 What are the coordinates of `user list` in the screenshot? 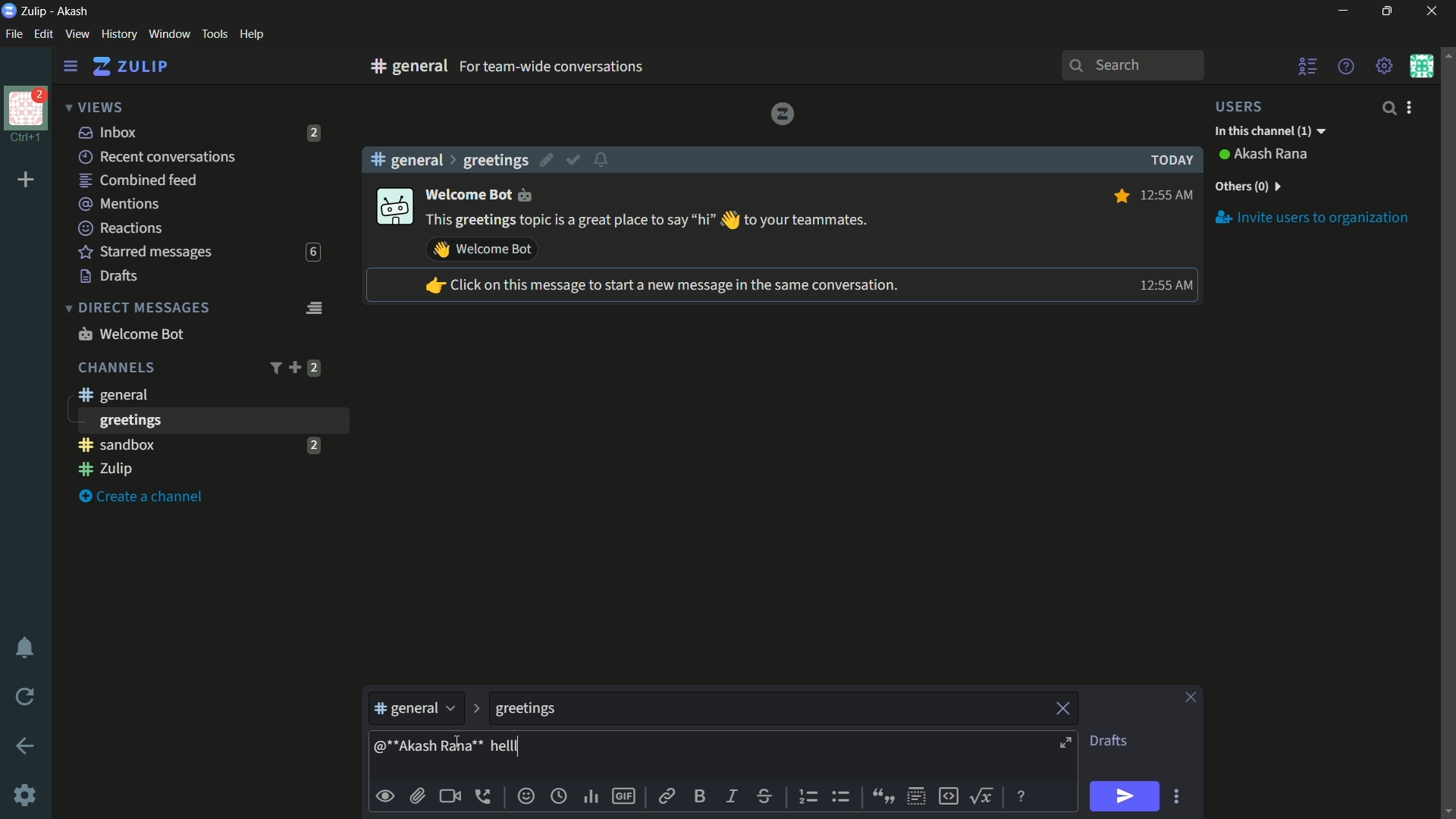 It's located at (1309, 66).